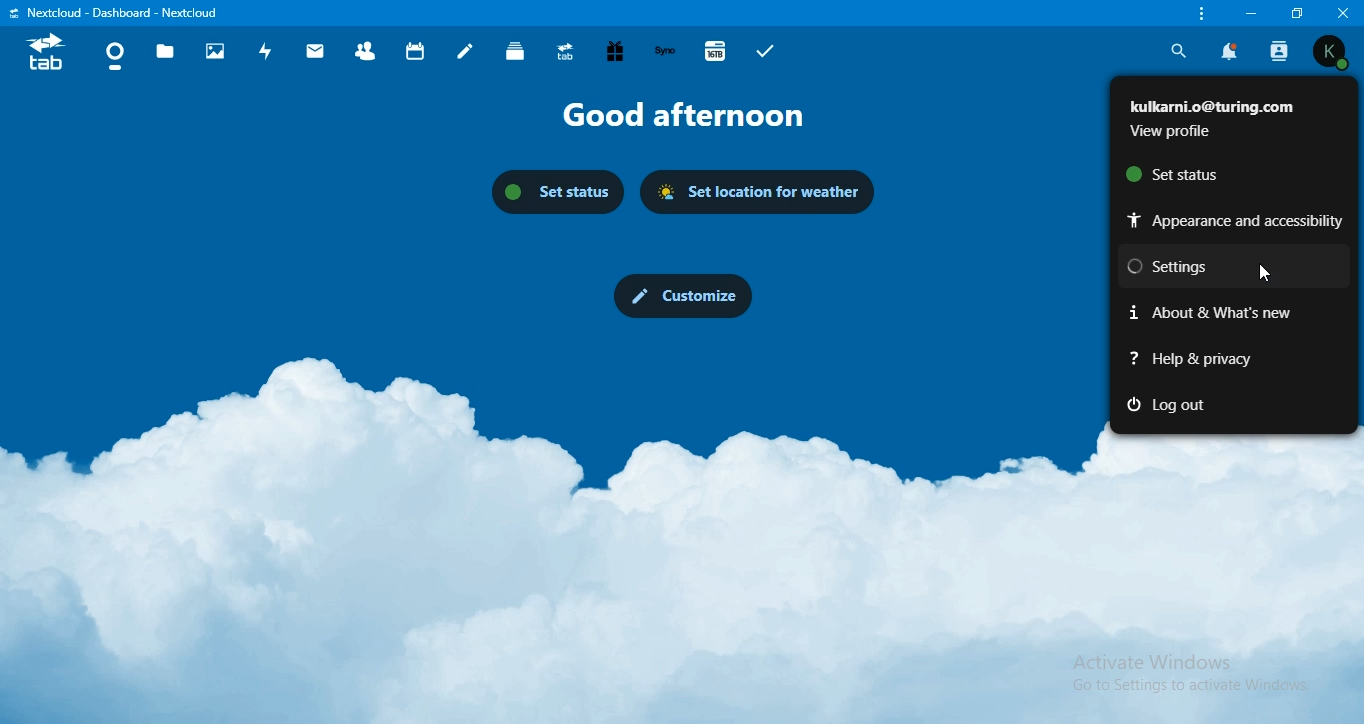 The height and width of the screenshot is (724, 1364). Describe the element at coordinates (682, 296) in the screenshot. I see `customize` at that location.